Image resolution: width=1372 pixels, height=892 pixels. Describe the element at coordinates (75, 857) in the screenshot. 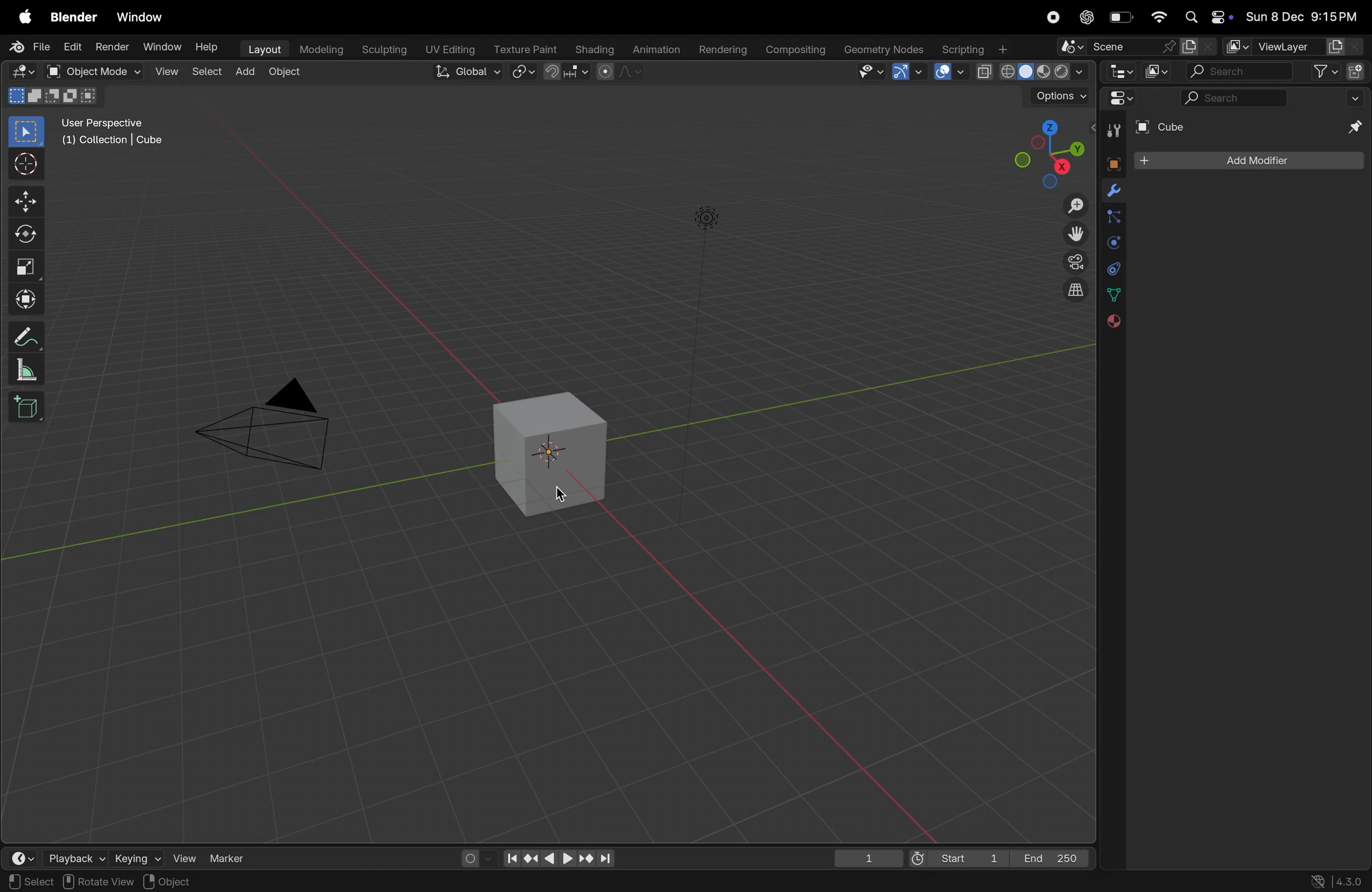

I see `playback` at that location.